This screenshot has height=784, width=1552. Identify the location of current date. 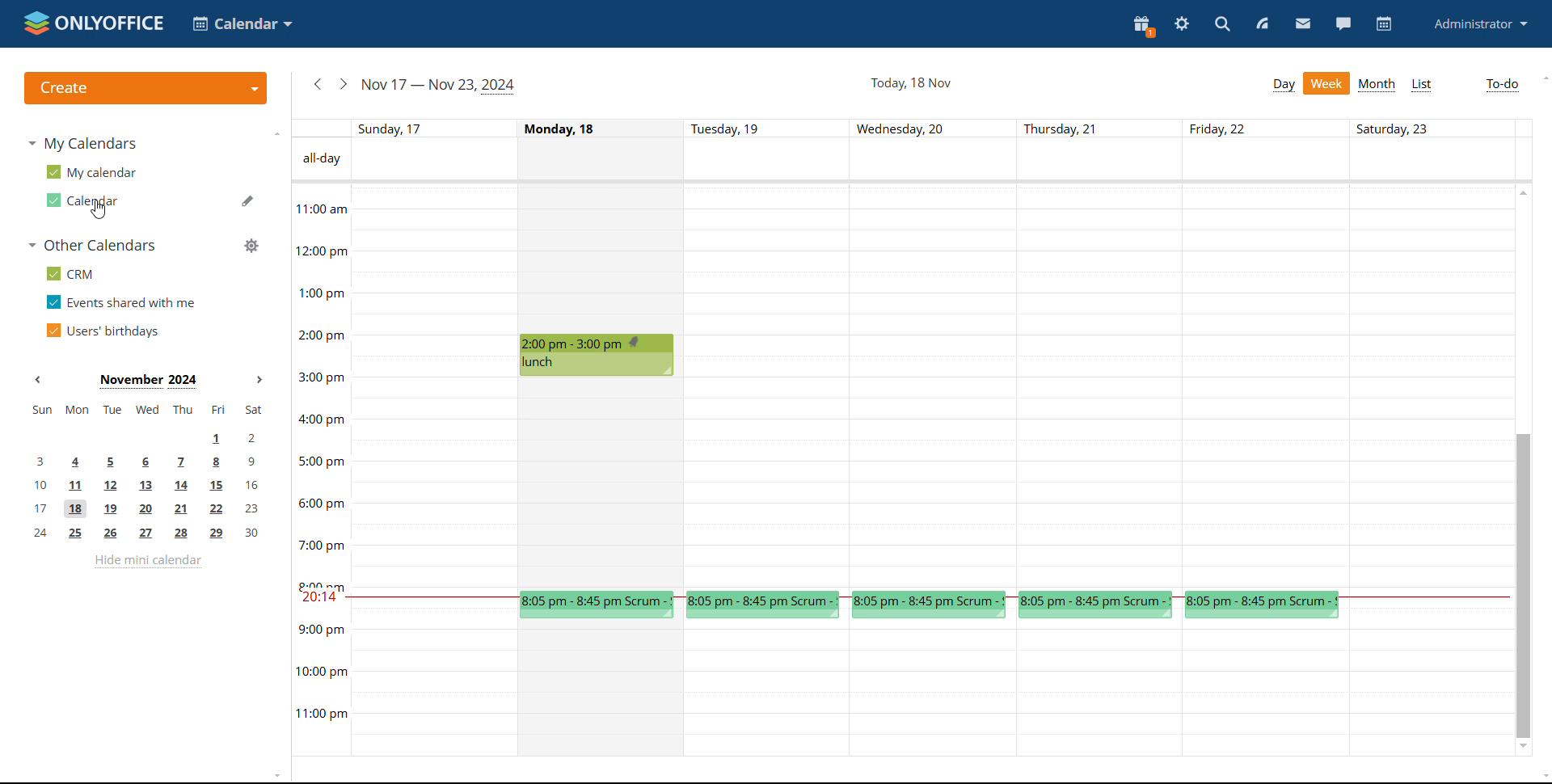
(910, 83).